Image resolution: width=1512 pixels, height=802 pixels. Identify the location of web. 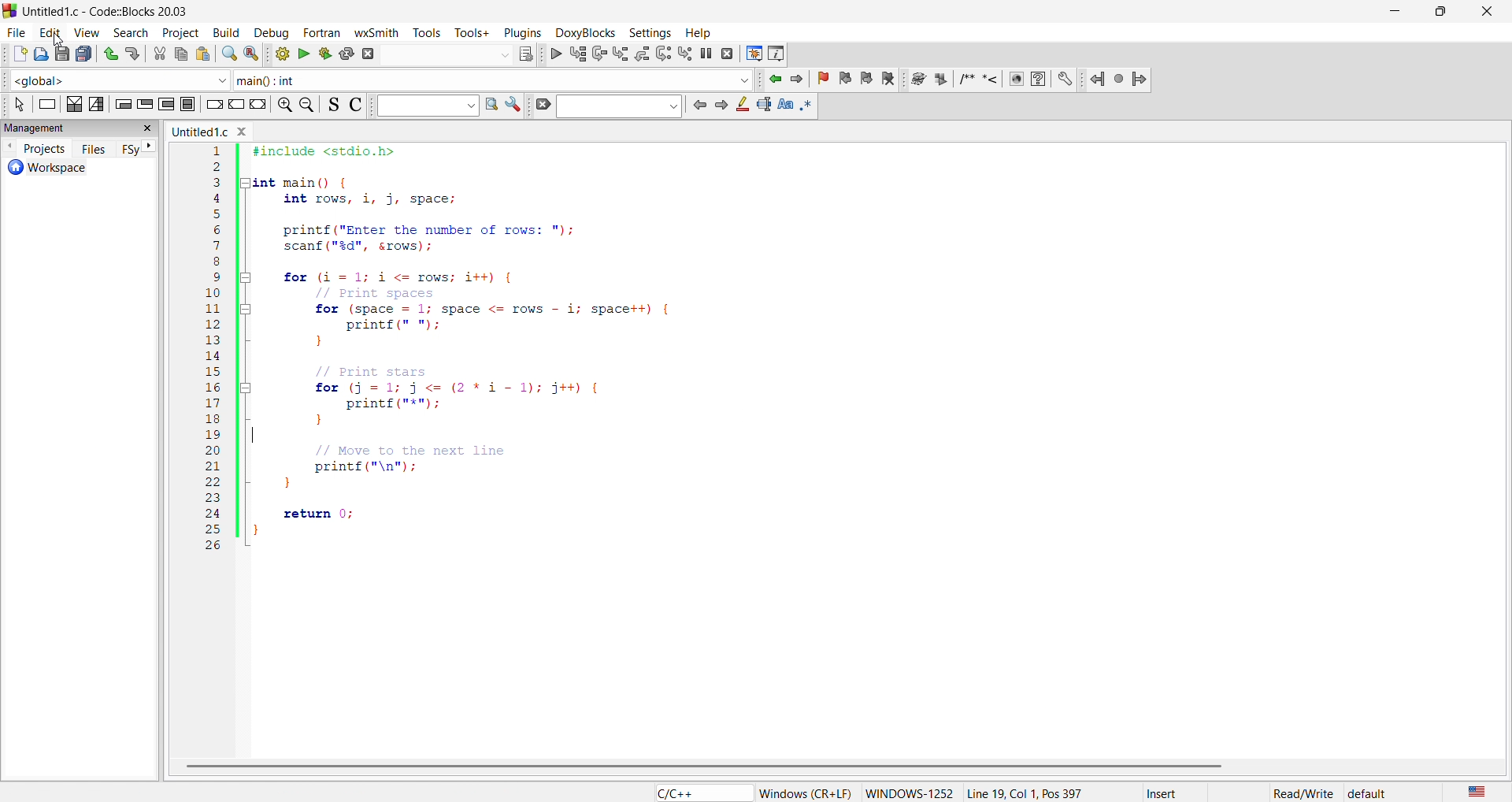
(1018, 81).